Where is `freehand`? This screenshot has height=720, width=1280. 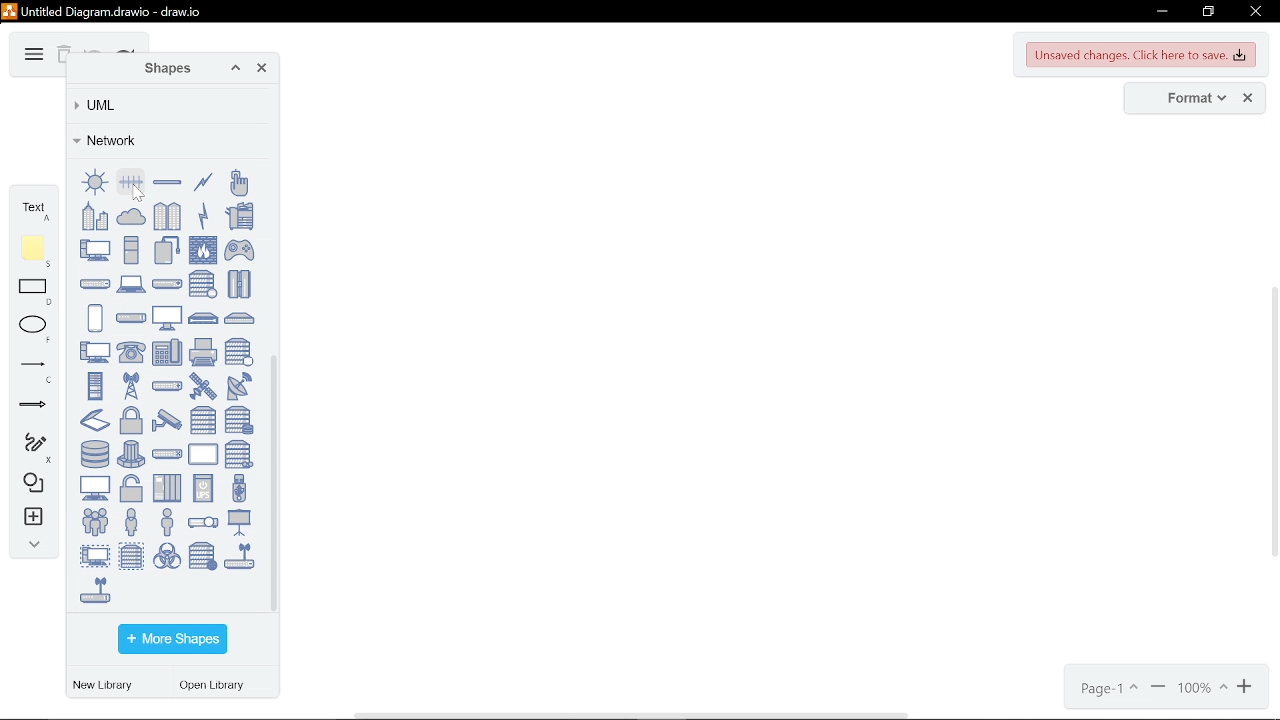
freehand is located at coordinates (30, 448).